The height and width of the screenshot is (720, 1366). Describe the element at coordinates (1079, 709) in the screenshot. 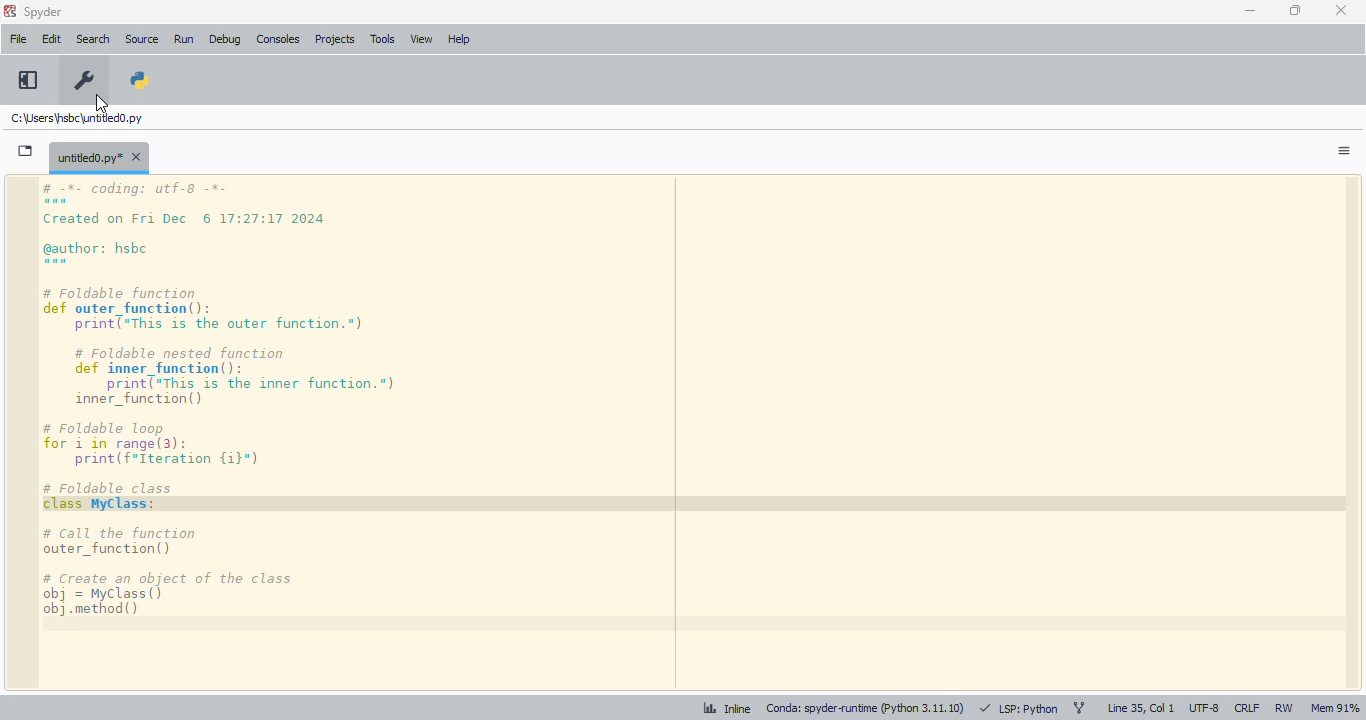

I see `git branch` at that location.